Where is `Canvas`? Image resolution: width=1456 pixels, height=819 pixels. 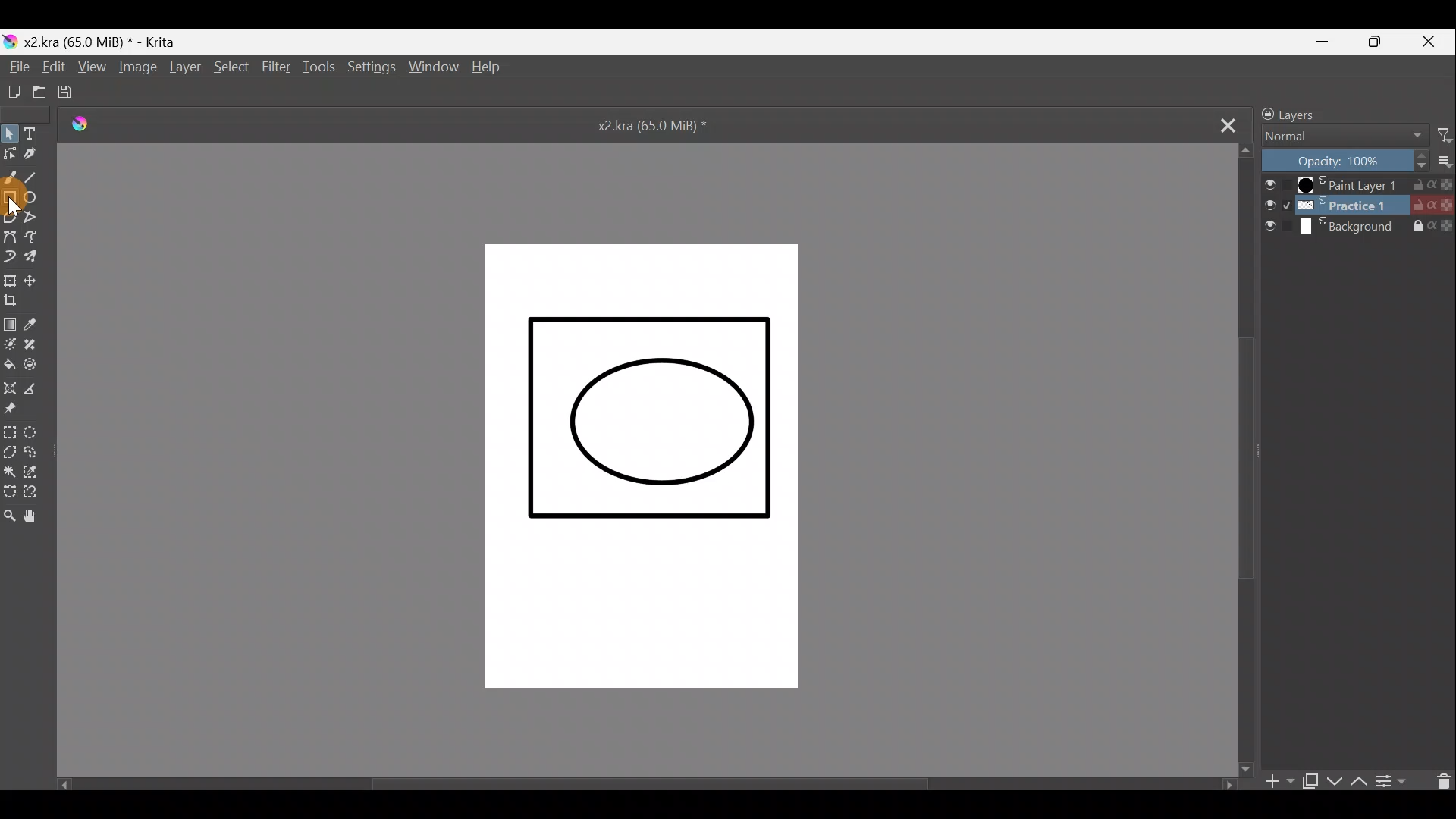 Canvas is located at coordinates (642, 462).